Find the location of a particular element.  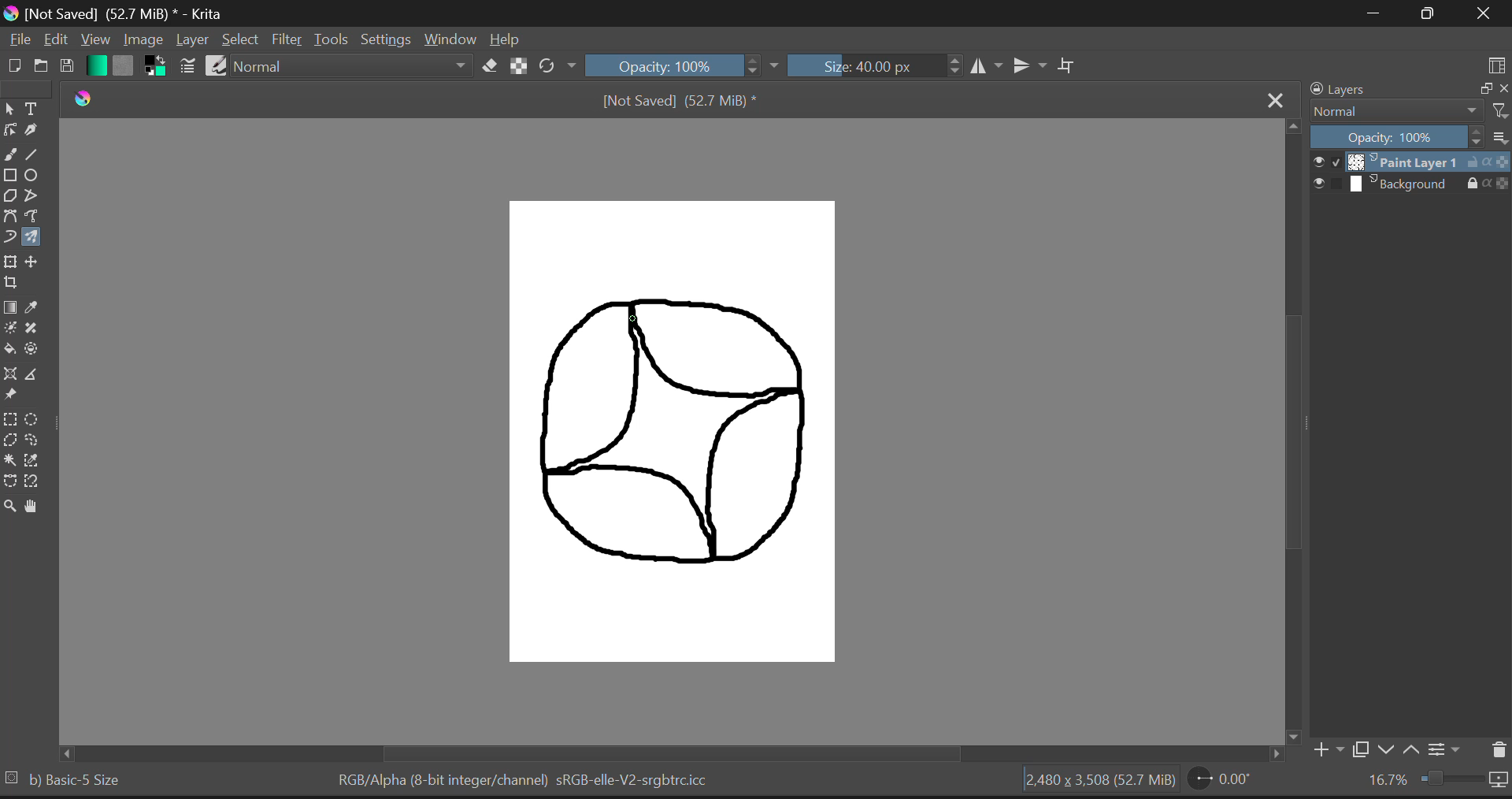

Colorize Mask Tool is located at coordinates (9, 330).